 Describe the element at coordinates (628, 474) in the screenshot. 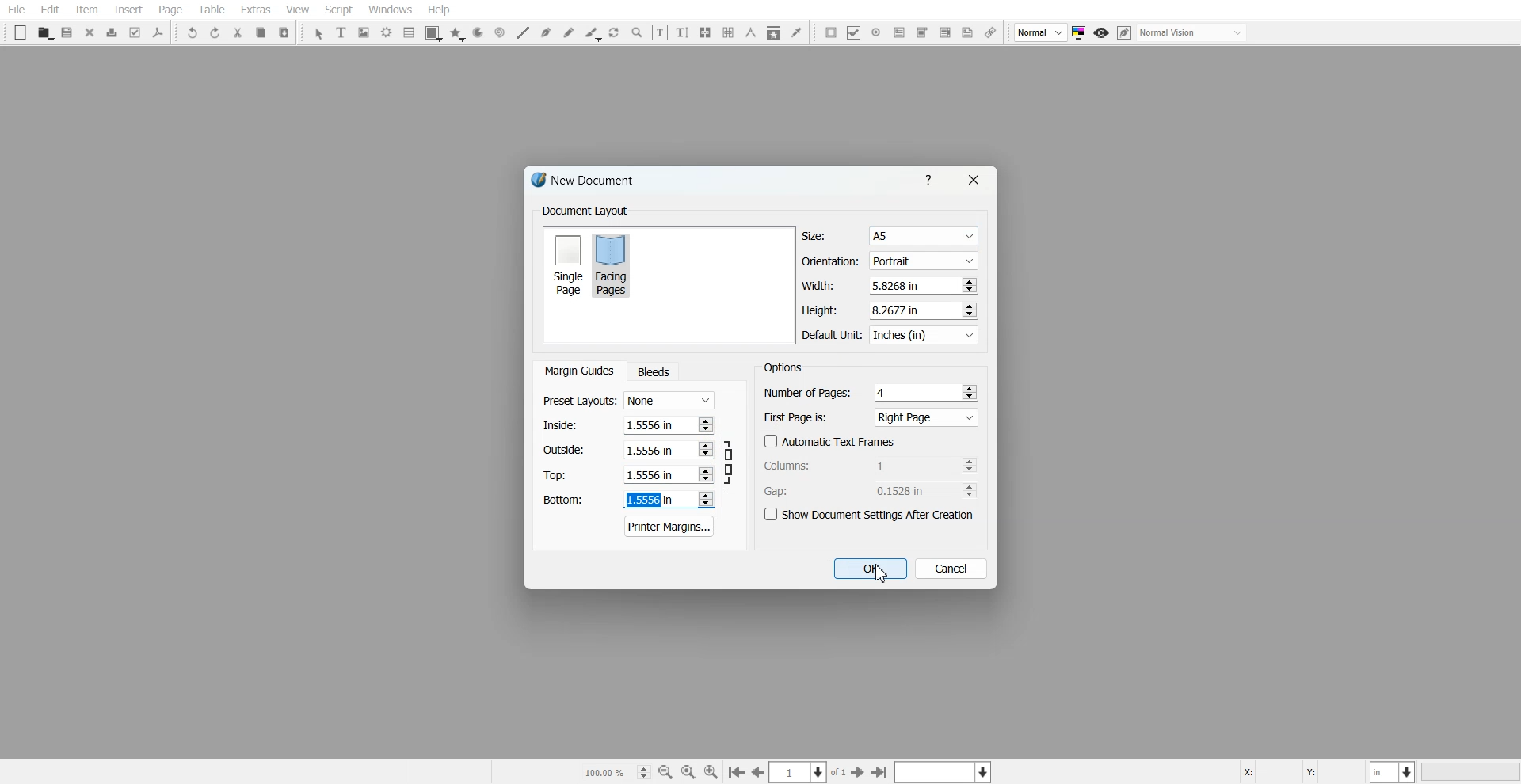

I see `Top margin adjuster` at that location.